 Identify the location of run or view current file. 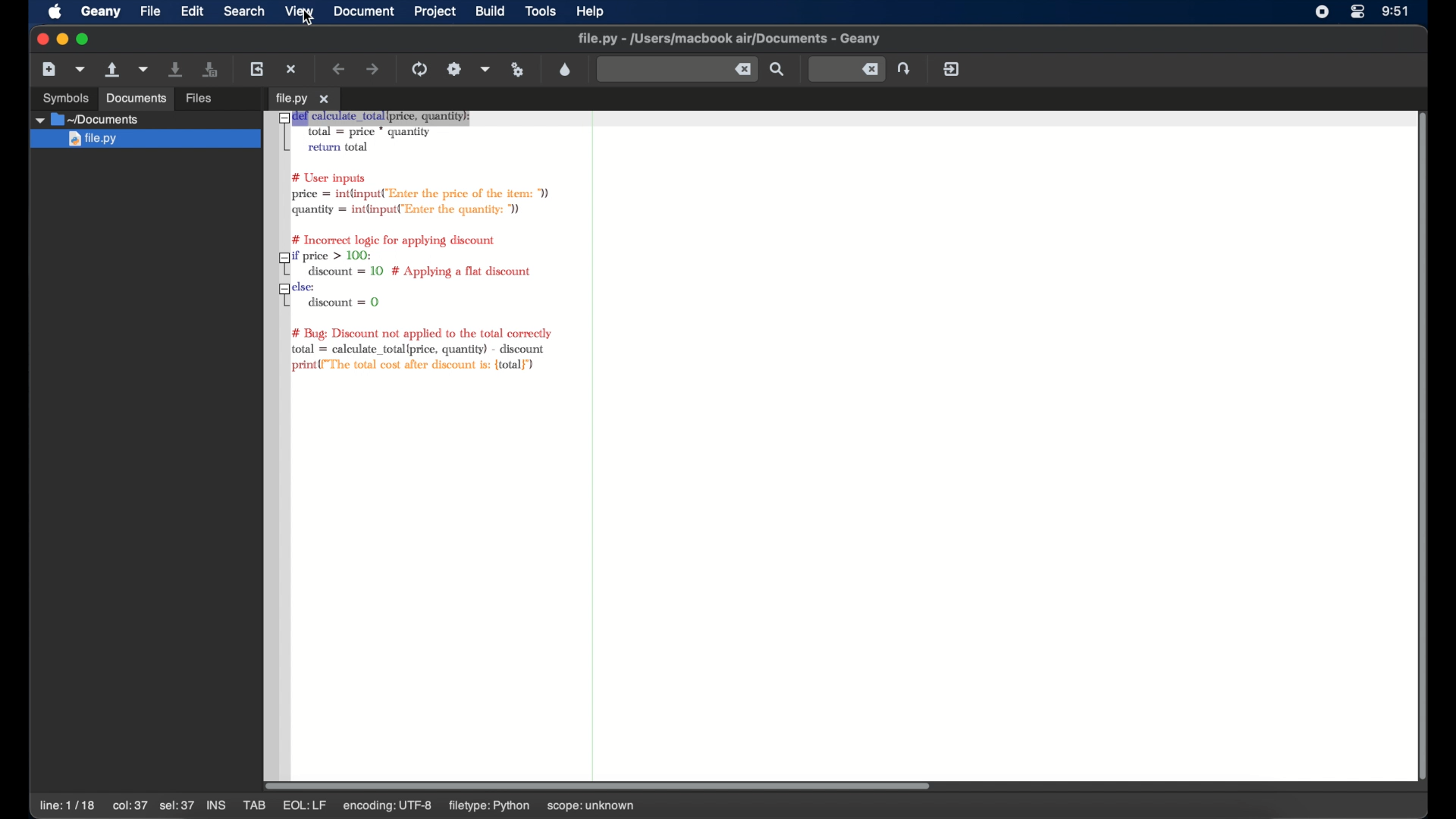
(518, 69).